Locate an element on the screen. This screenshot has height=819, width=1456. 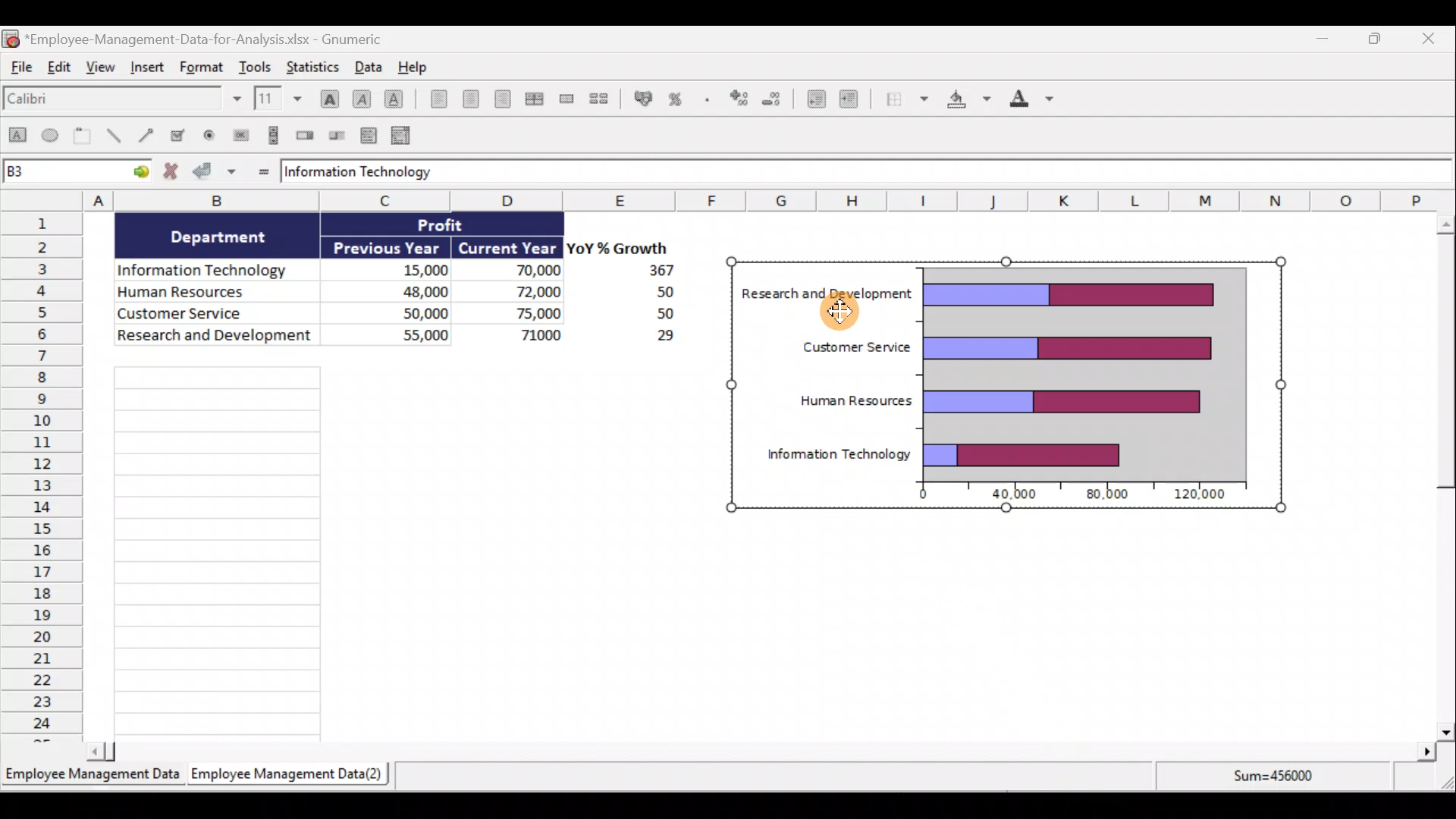
Edit is located at coordinates (62, 71).